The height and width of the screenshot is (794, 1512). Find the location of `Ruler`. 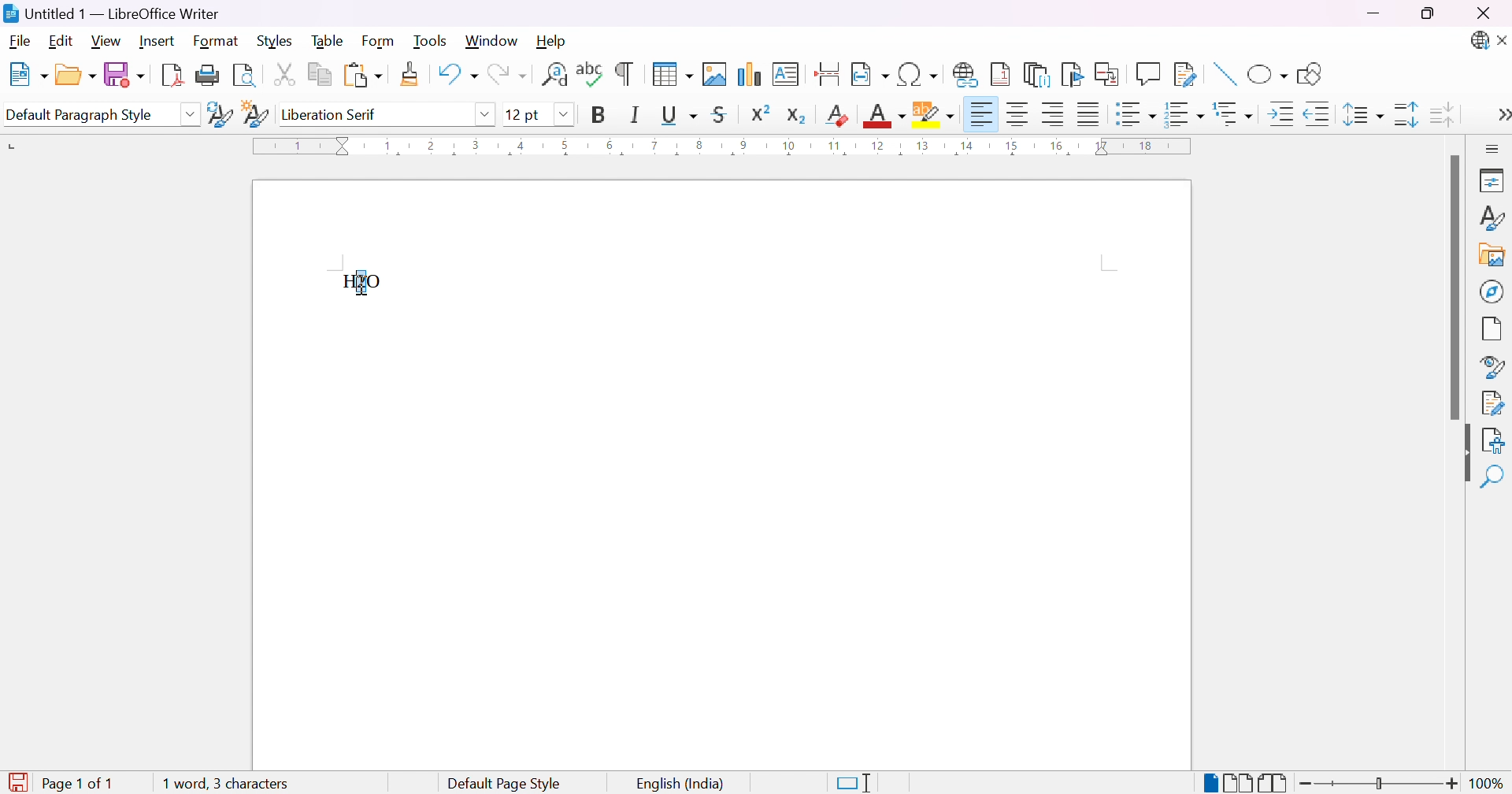

Ruler is located at coordinates (728, 147).